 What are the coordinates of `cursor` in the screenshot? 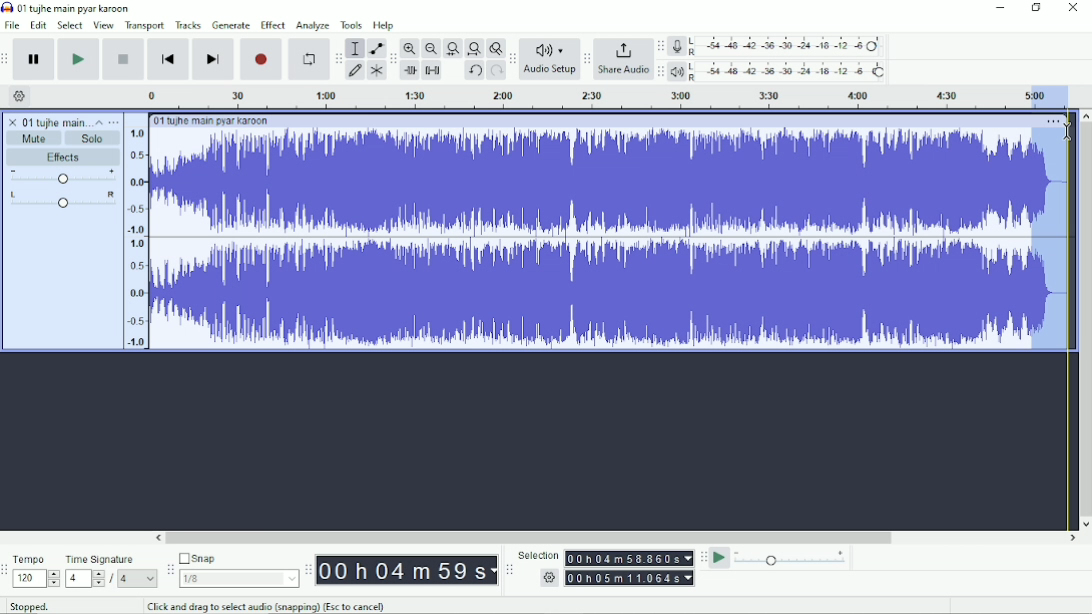 It's located at (1064, 128).